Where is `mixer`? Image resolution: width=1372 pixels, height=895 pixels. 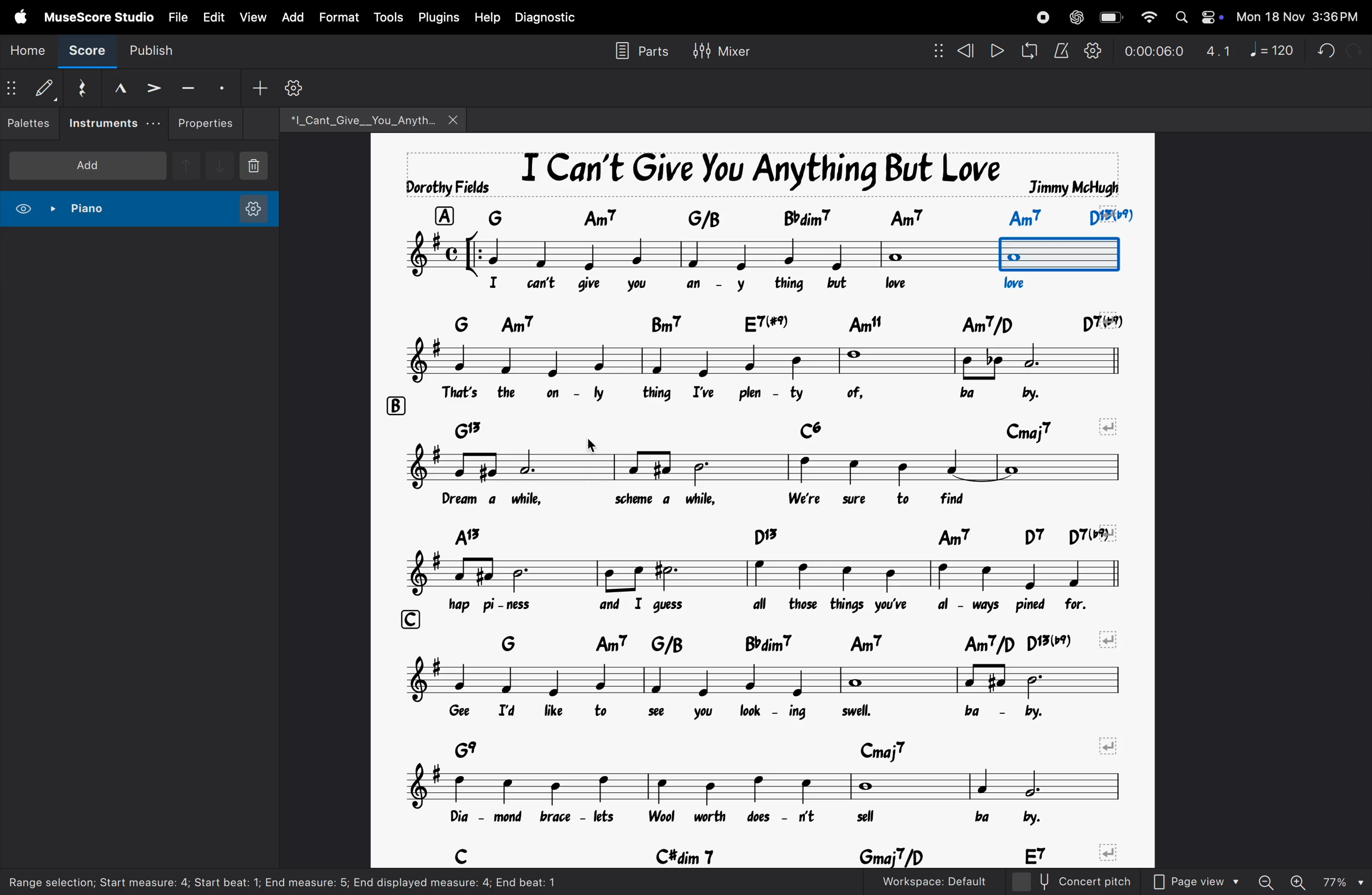
mixer is located at coordinates (720, 49).